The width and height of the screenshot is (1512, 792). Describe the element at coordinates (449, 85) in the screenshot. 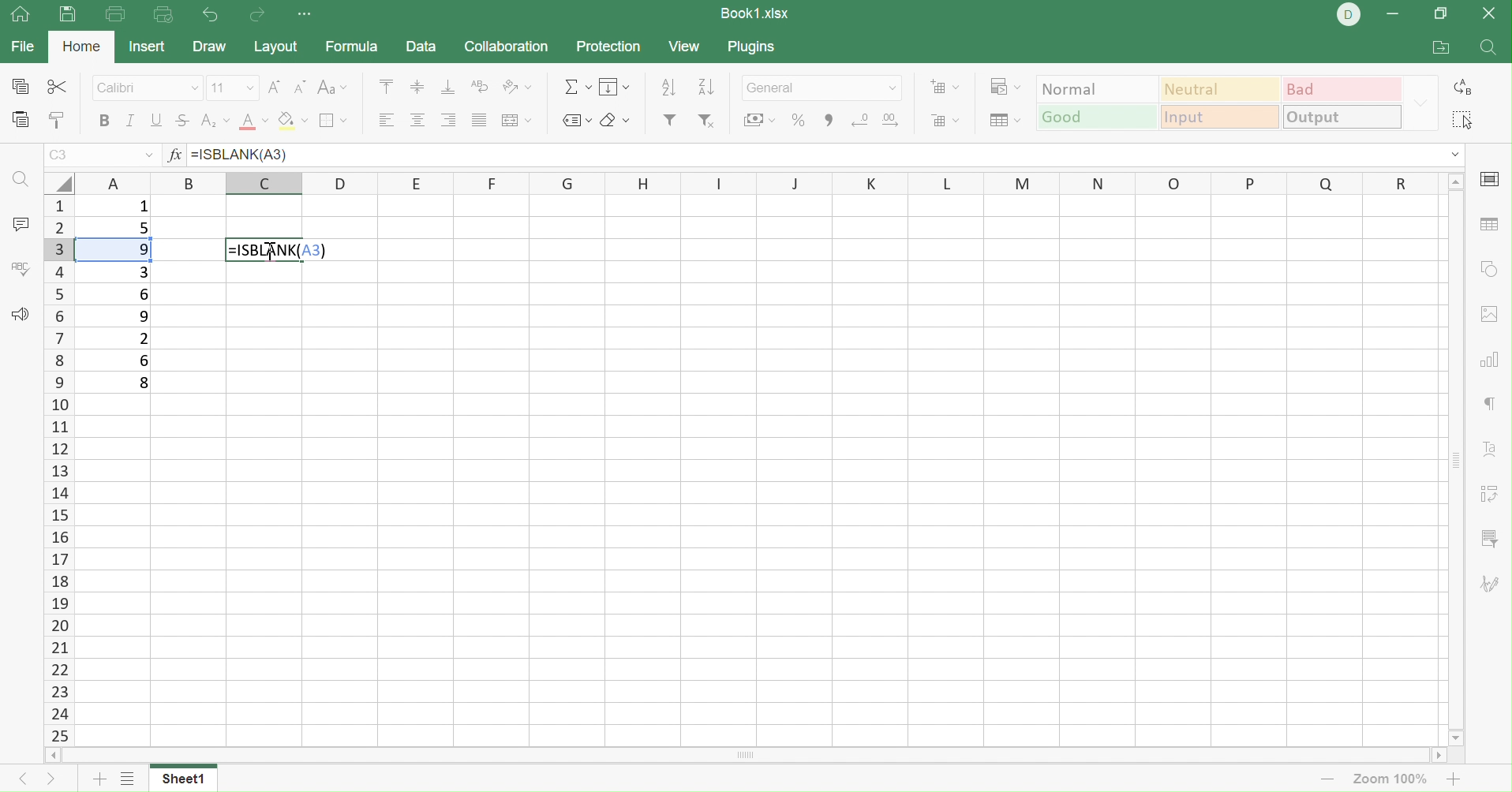

I see `Align bottom` at that location.